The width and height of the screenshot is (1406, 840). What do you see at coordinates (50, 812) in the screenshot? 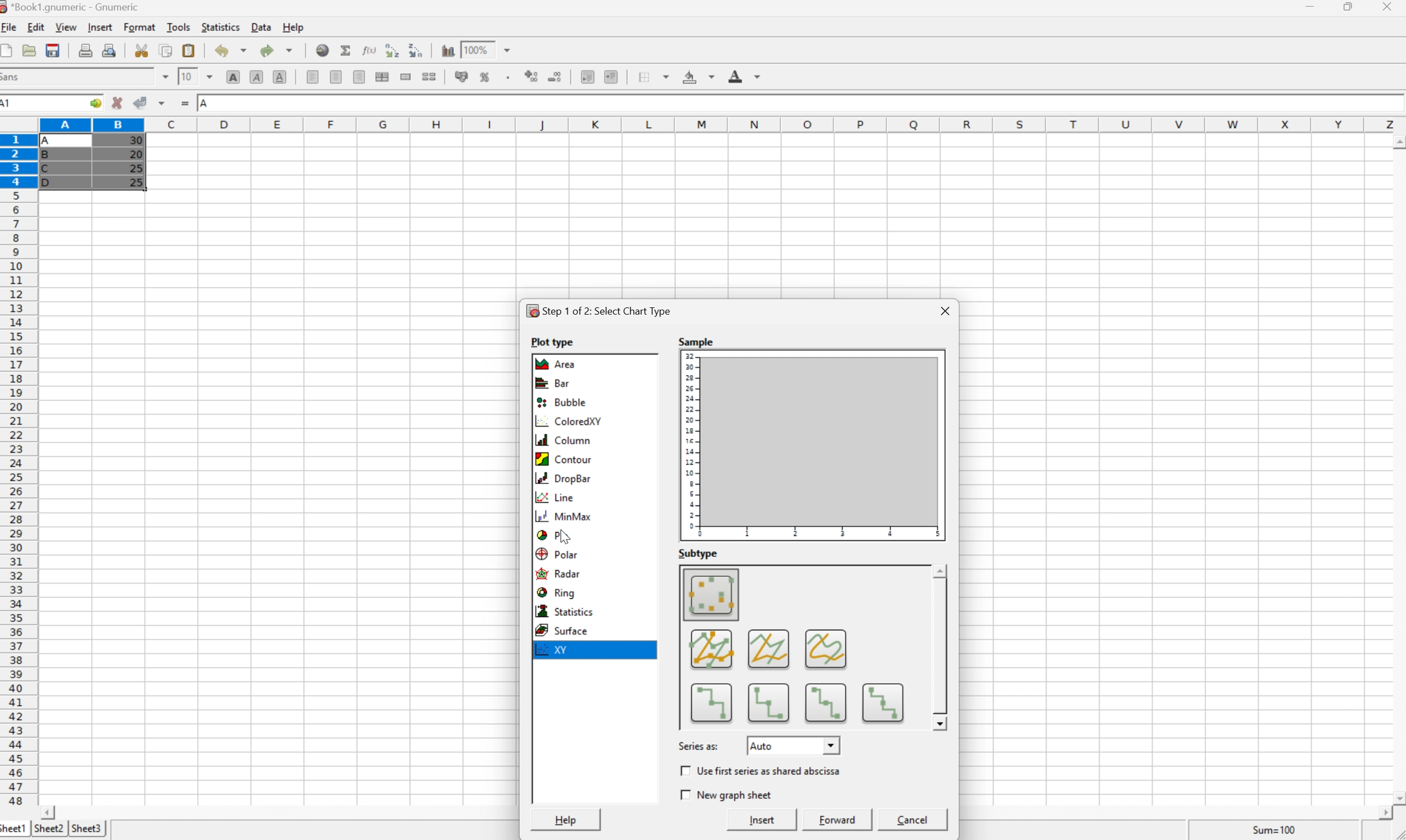
I see `Scroll Left` at bounding box center [50, 812].